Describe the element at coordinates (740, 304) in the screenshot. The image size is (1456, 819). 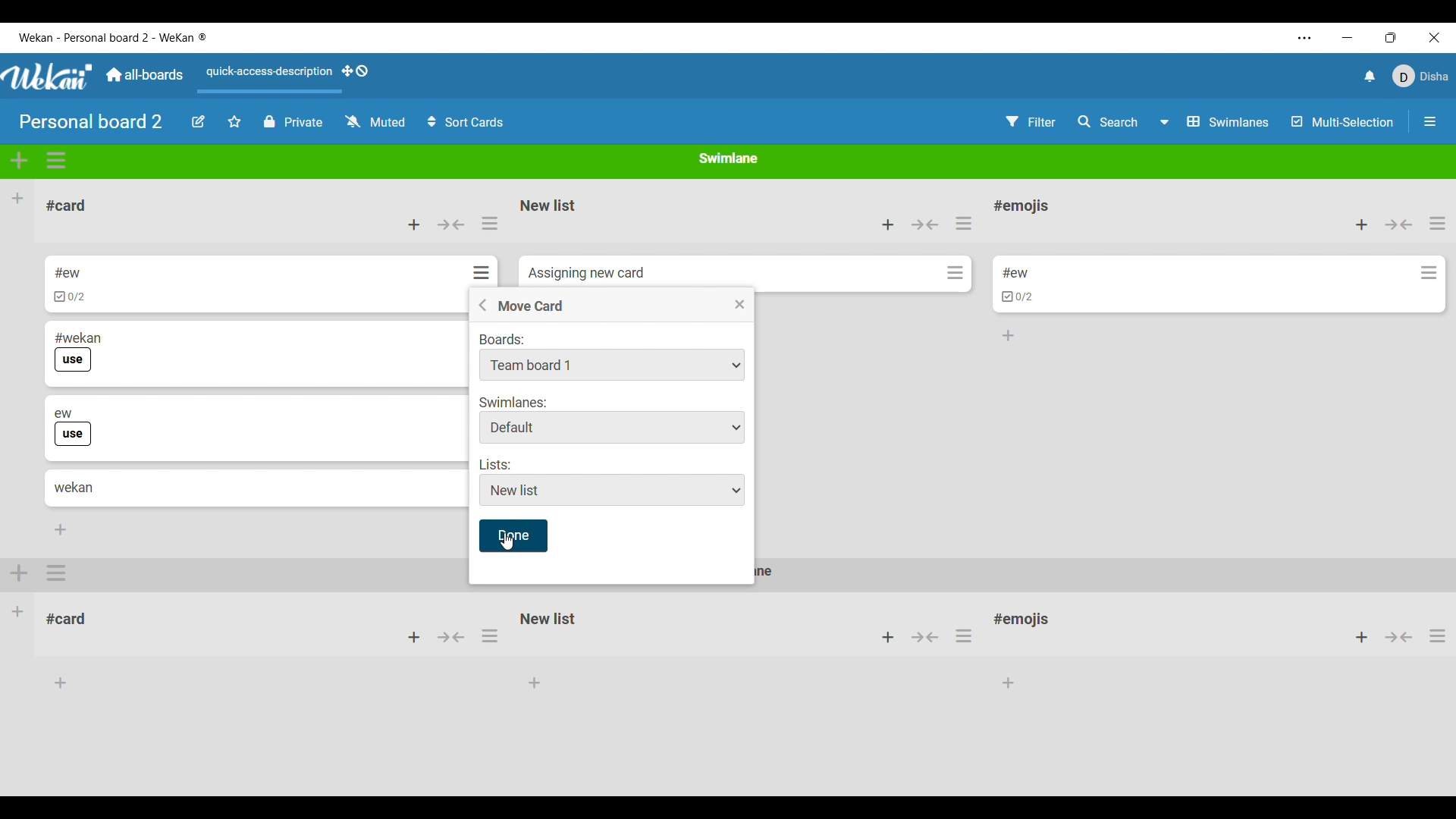
I see `Close menu` at that location.